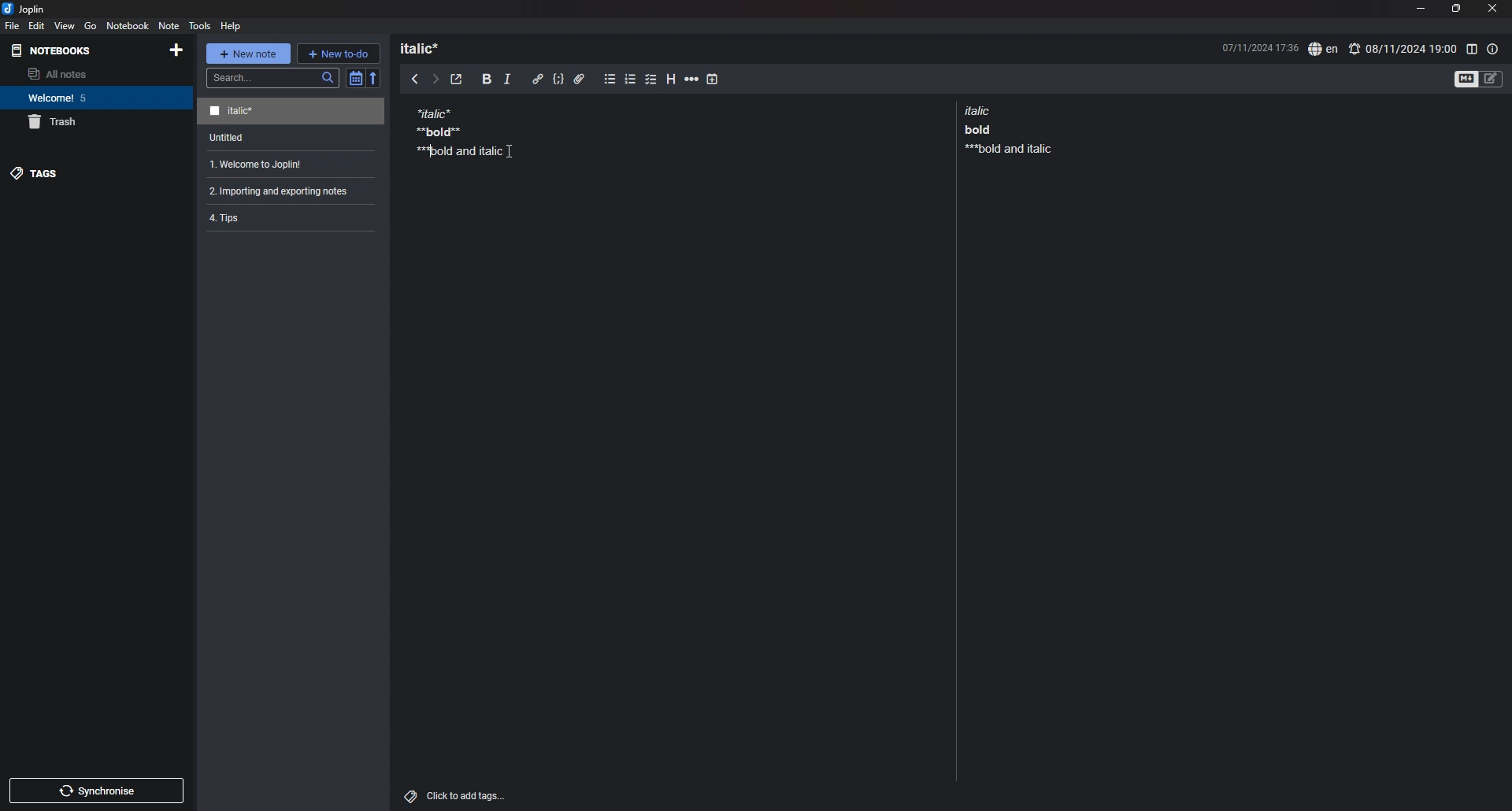 The width and height of the screenshot is (1512, 811). What do you see at coordinates (415, 78) in the screenshot?
I see `previous` at bounding box center [415, 78].